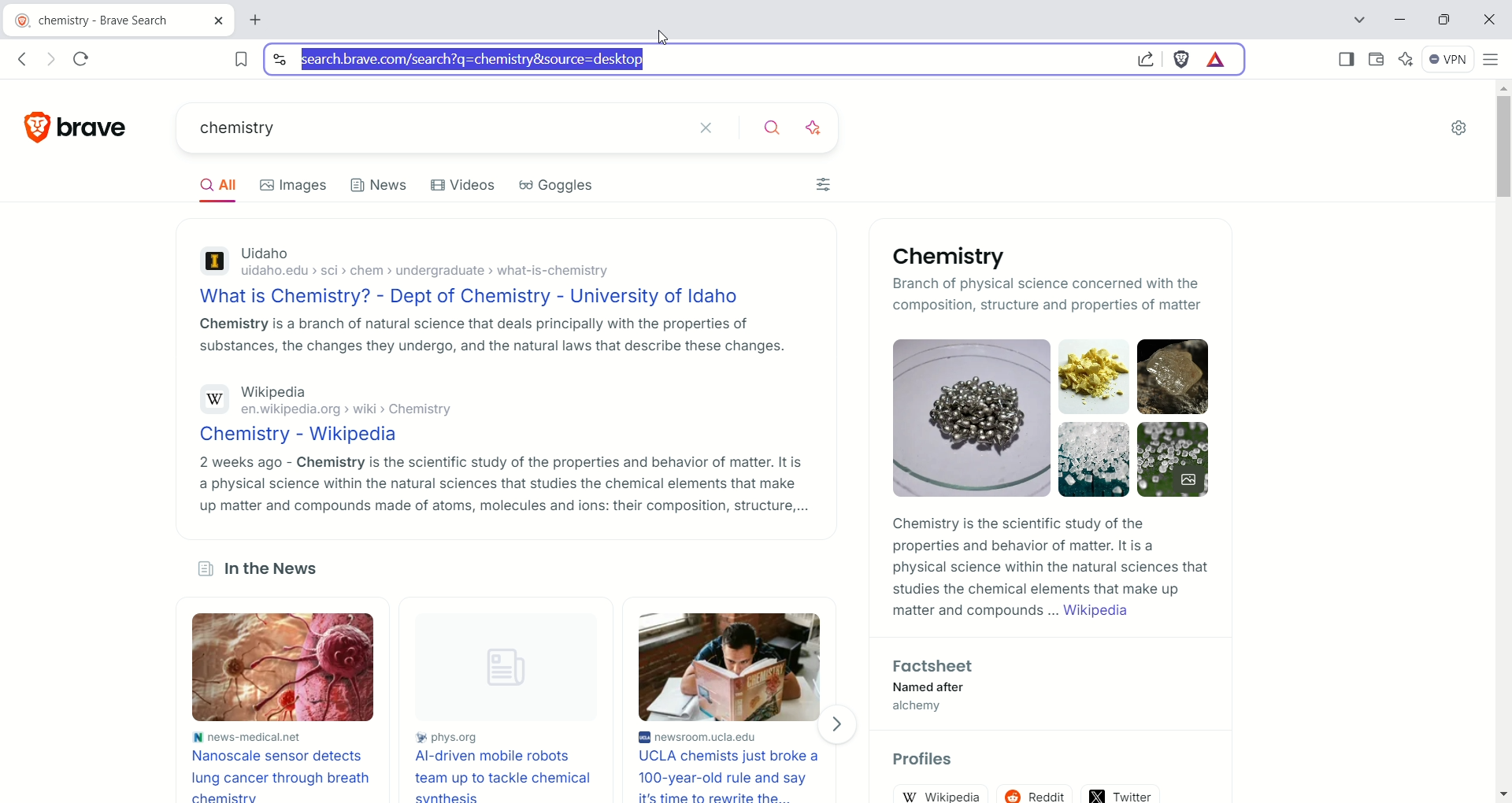 The image size is (1512, 803). What do you see at coordinates (476, 296) in the screenshot?
I see `What is Chemistry? - Dept of Chemistry - University of Idaho` at bounding box center [476, 296].